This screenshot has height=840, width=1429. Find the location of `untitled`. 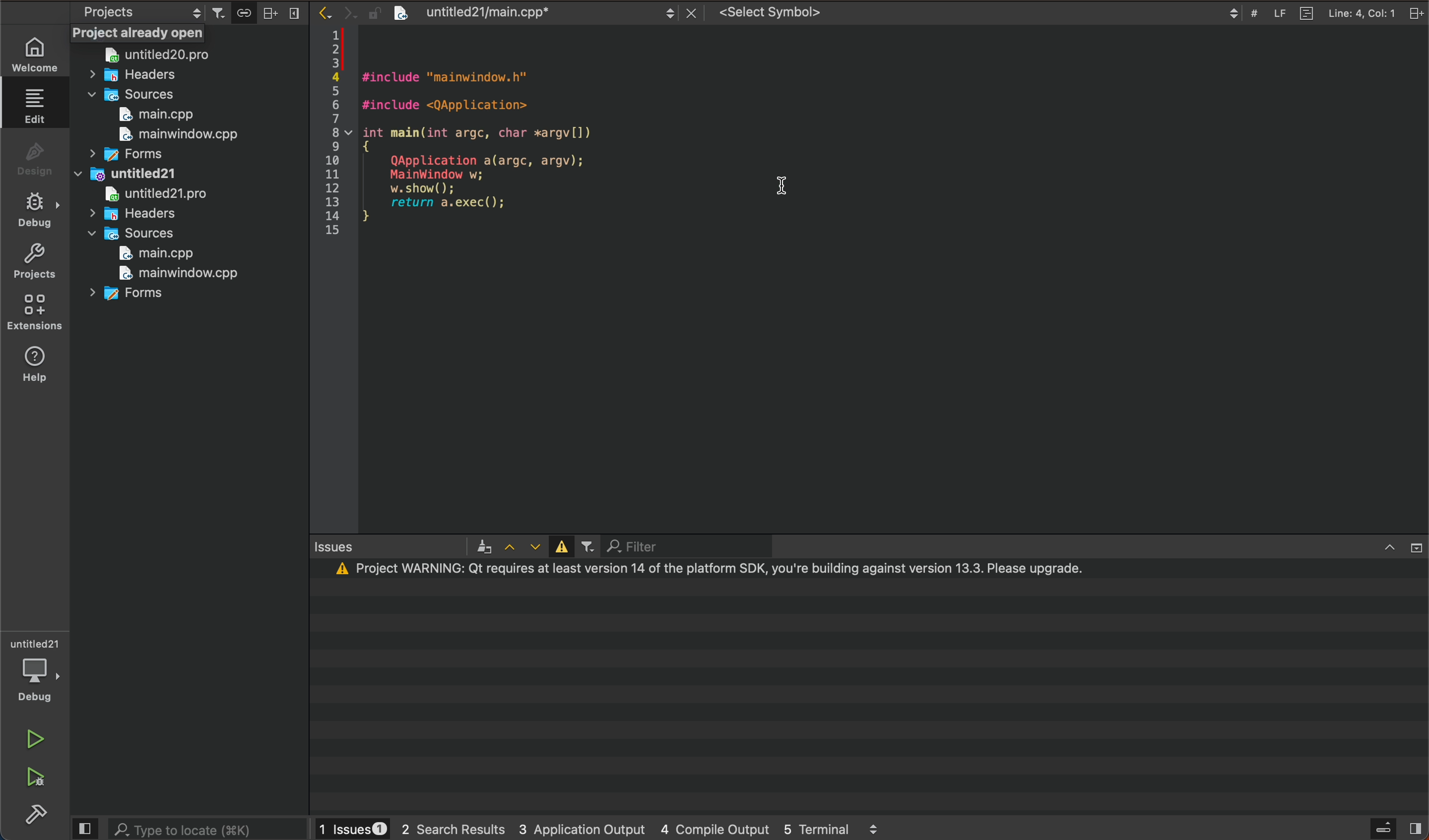

untitled is located at coordinates (126, 174).